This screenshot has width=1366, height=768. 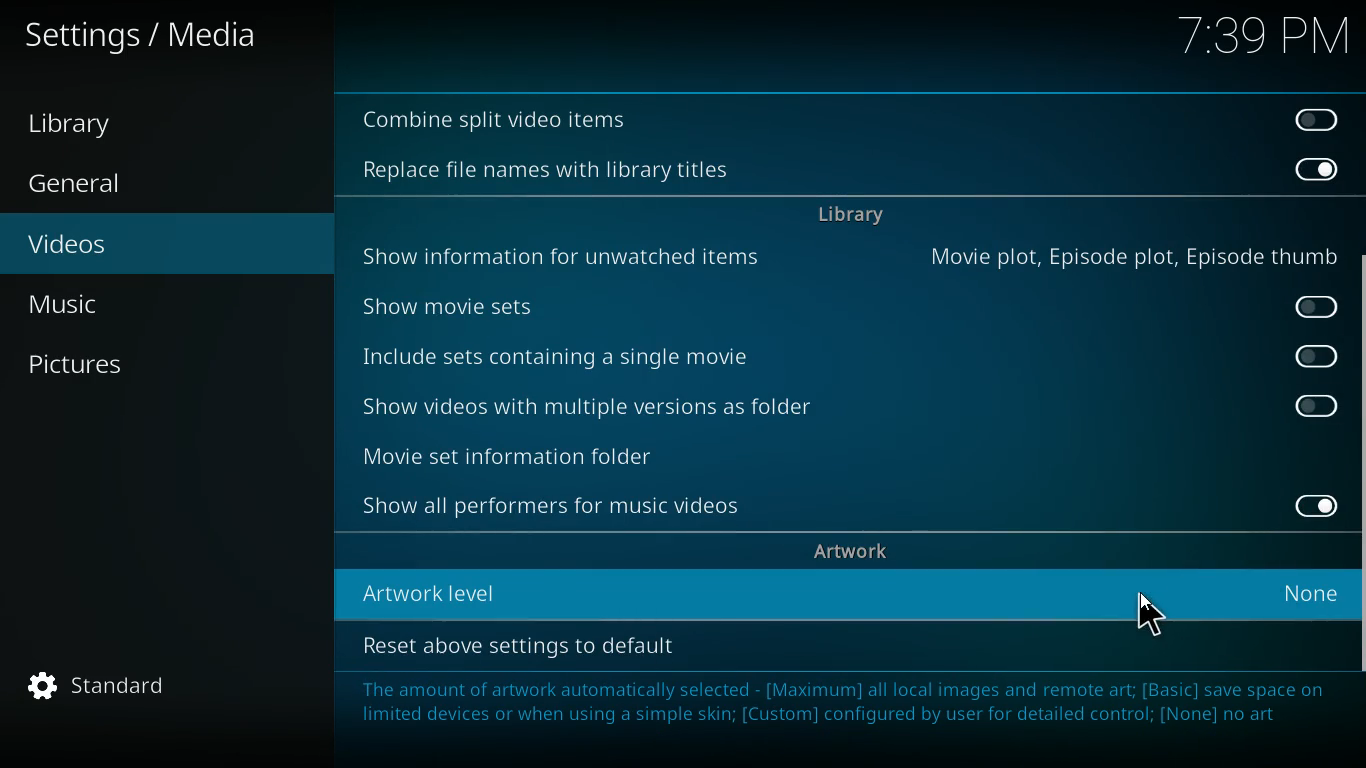 I want to click on show movie sets, so click(x=502, y=303).